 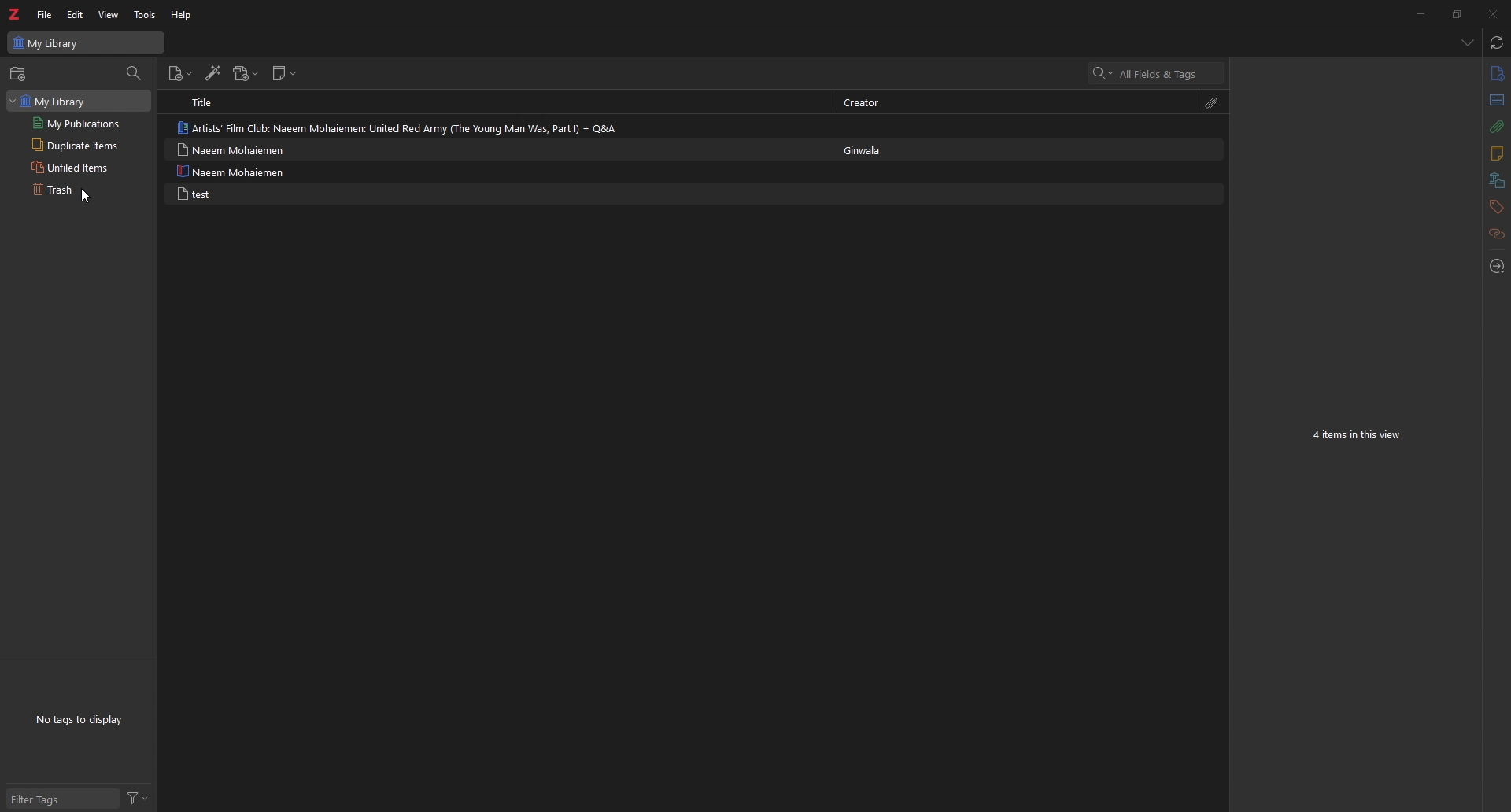 I want to click on locate, so click(x=1496, y=266).